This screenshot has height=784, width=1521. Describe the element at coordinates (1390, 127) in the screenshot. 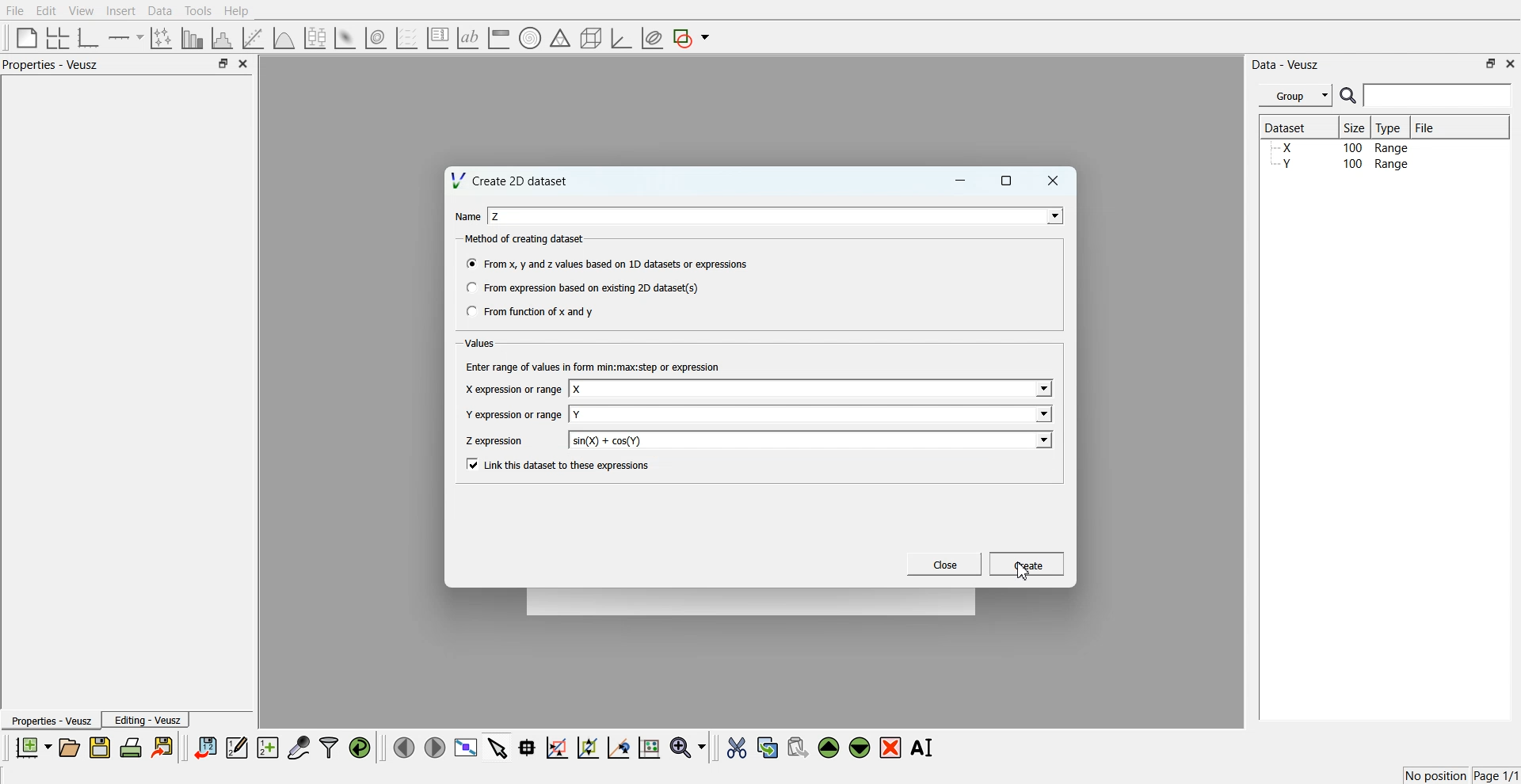

I see `Type` at that location.